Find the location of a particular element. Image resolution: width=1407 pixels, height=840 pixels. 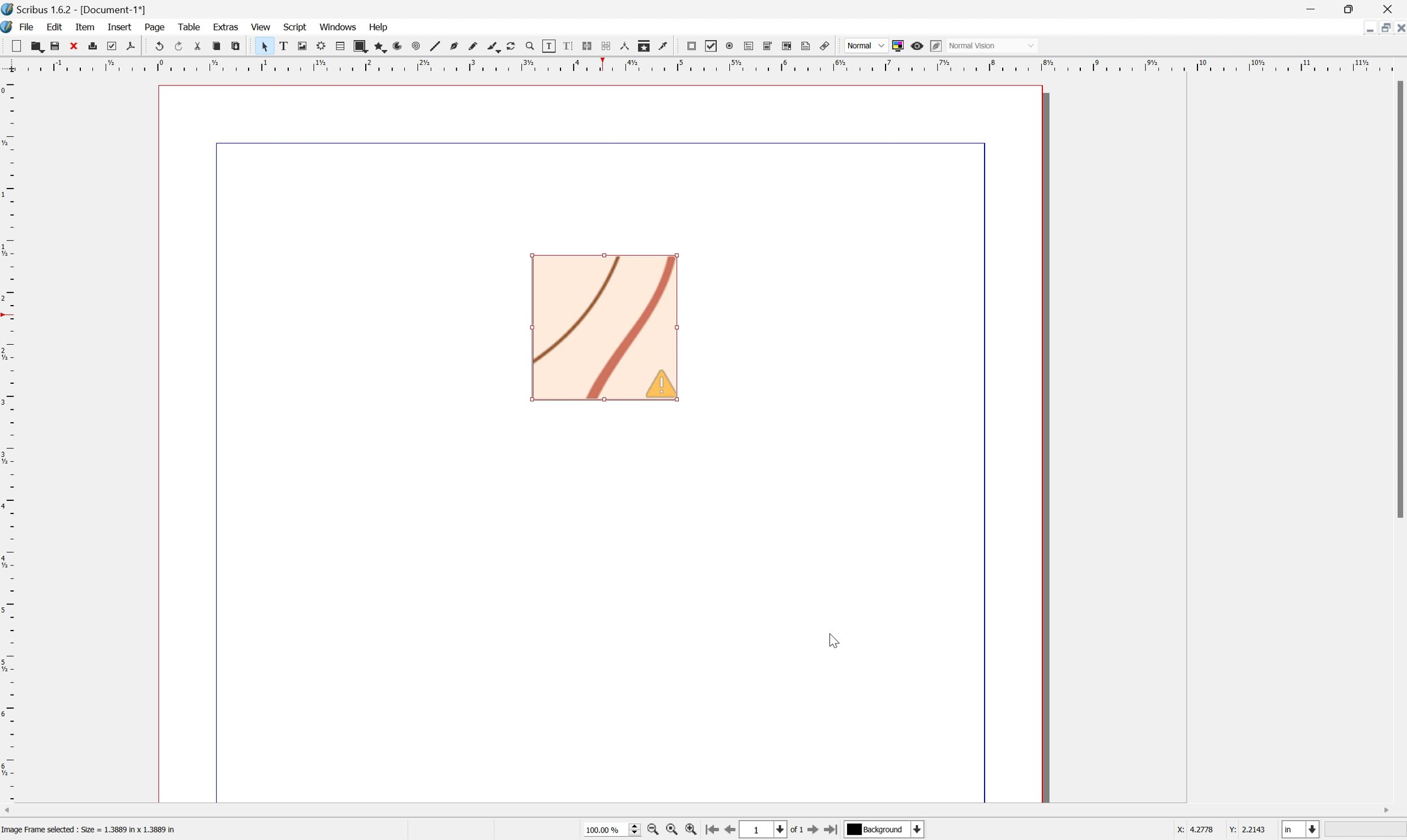

Shape is located at coordinates (362, 45).